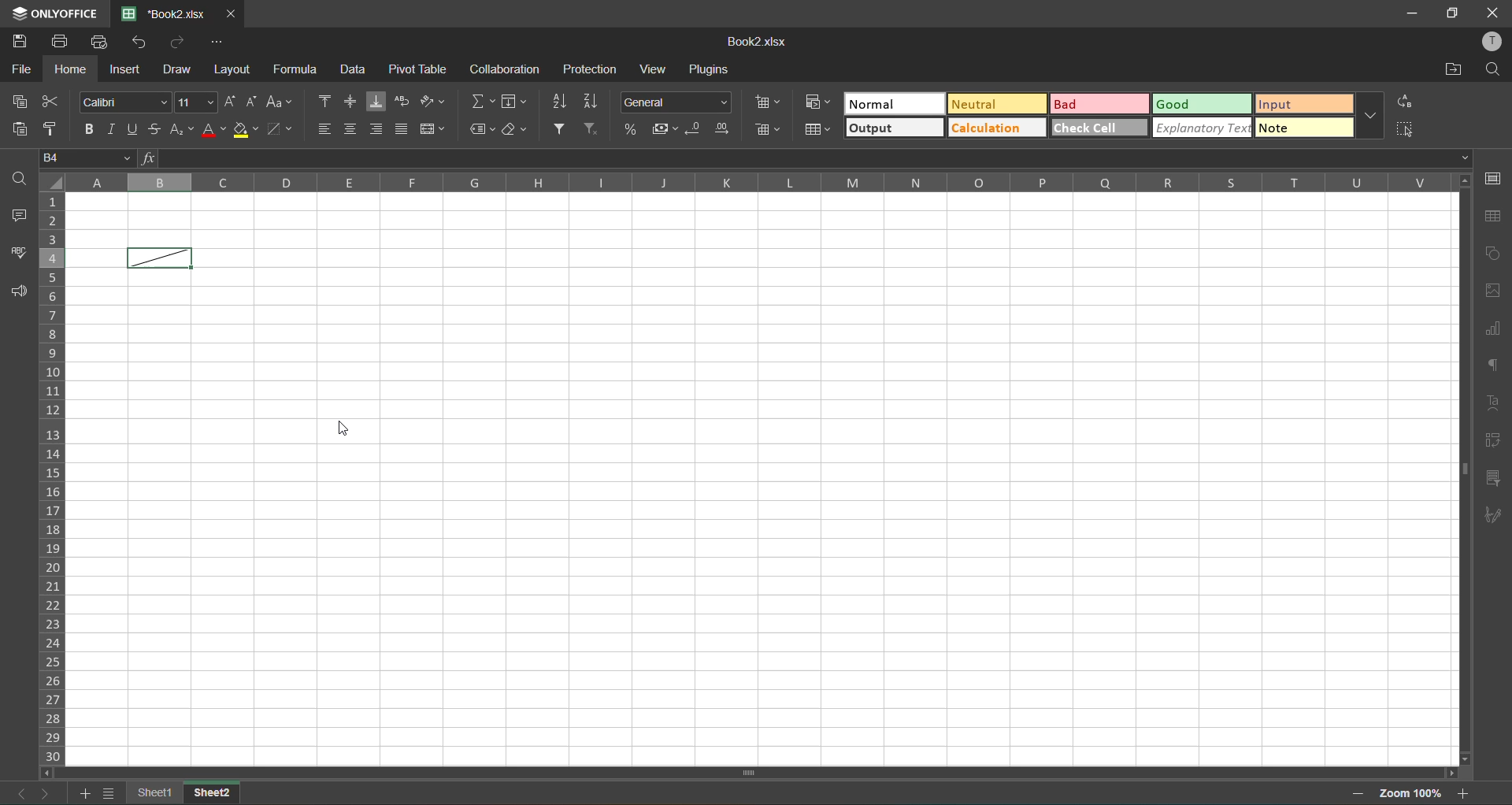 This screenshot has width=1512, height=805. I want to click on accounting, so click(666, 131).